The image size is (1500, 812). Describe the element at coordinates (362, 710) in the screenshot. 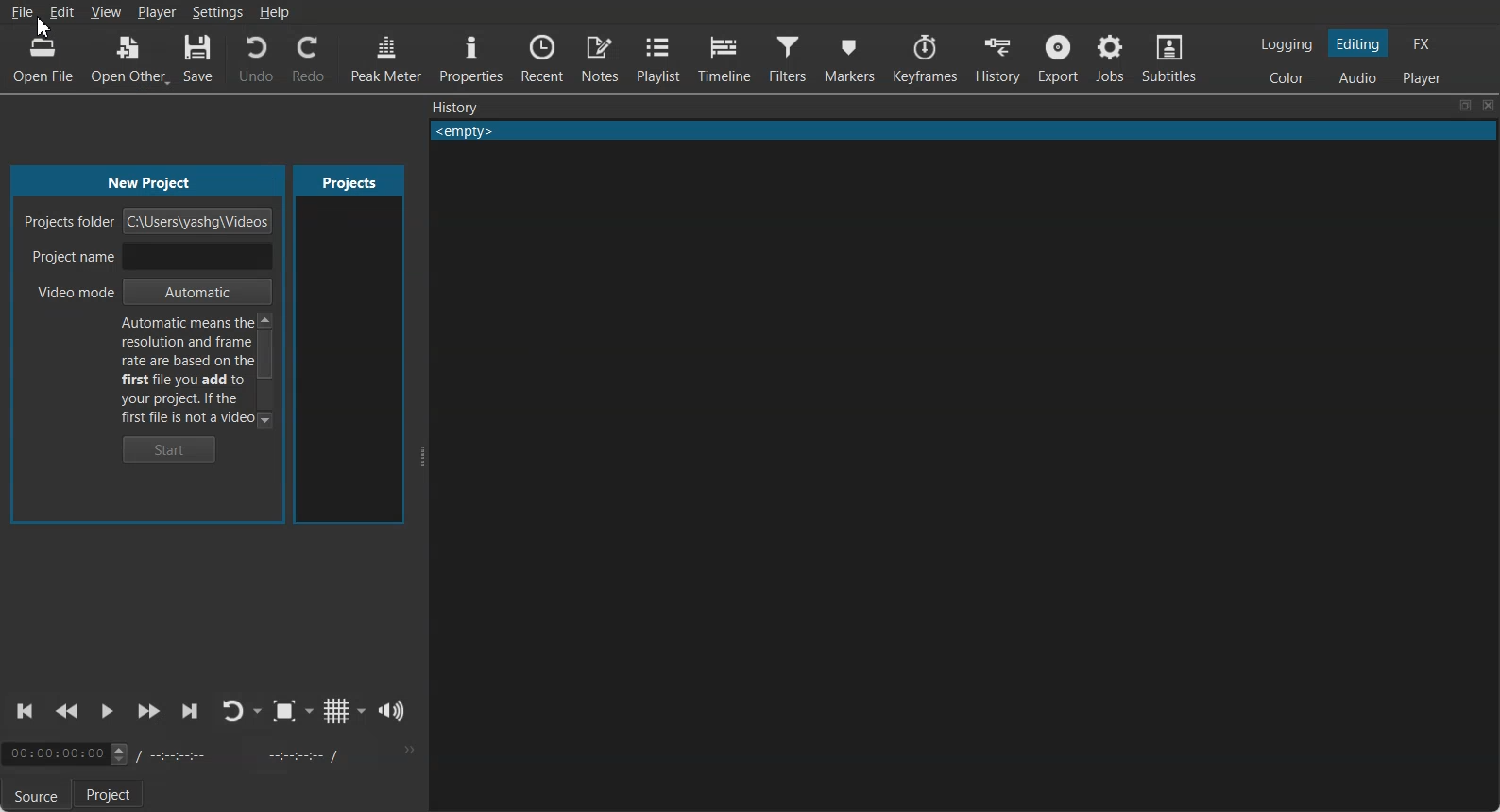

I see `Drop down box` at that location.